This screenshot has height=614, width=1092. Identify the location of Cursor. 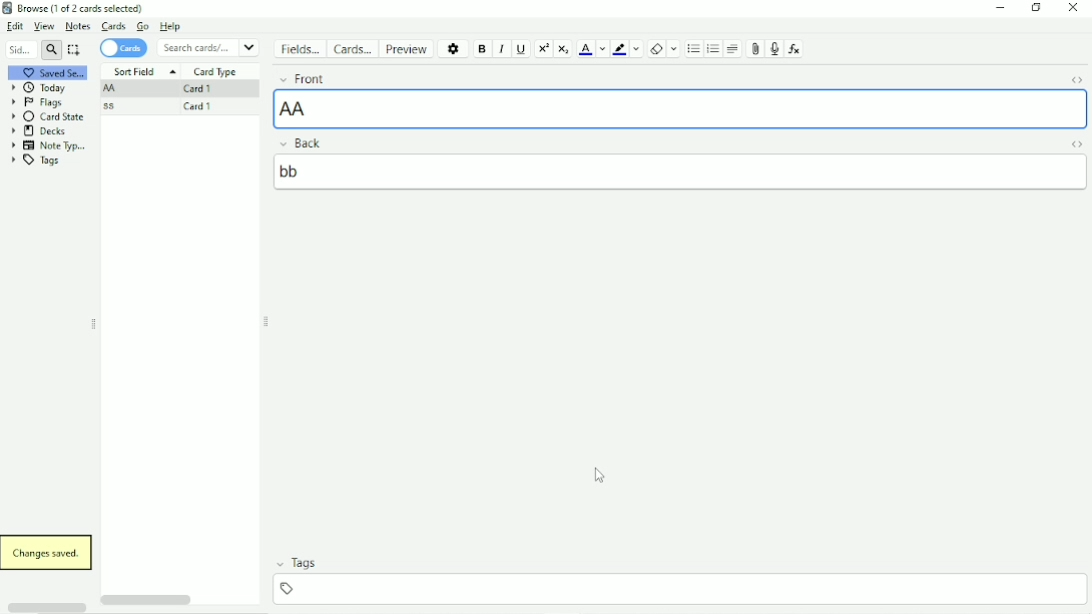
(599, 475).